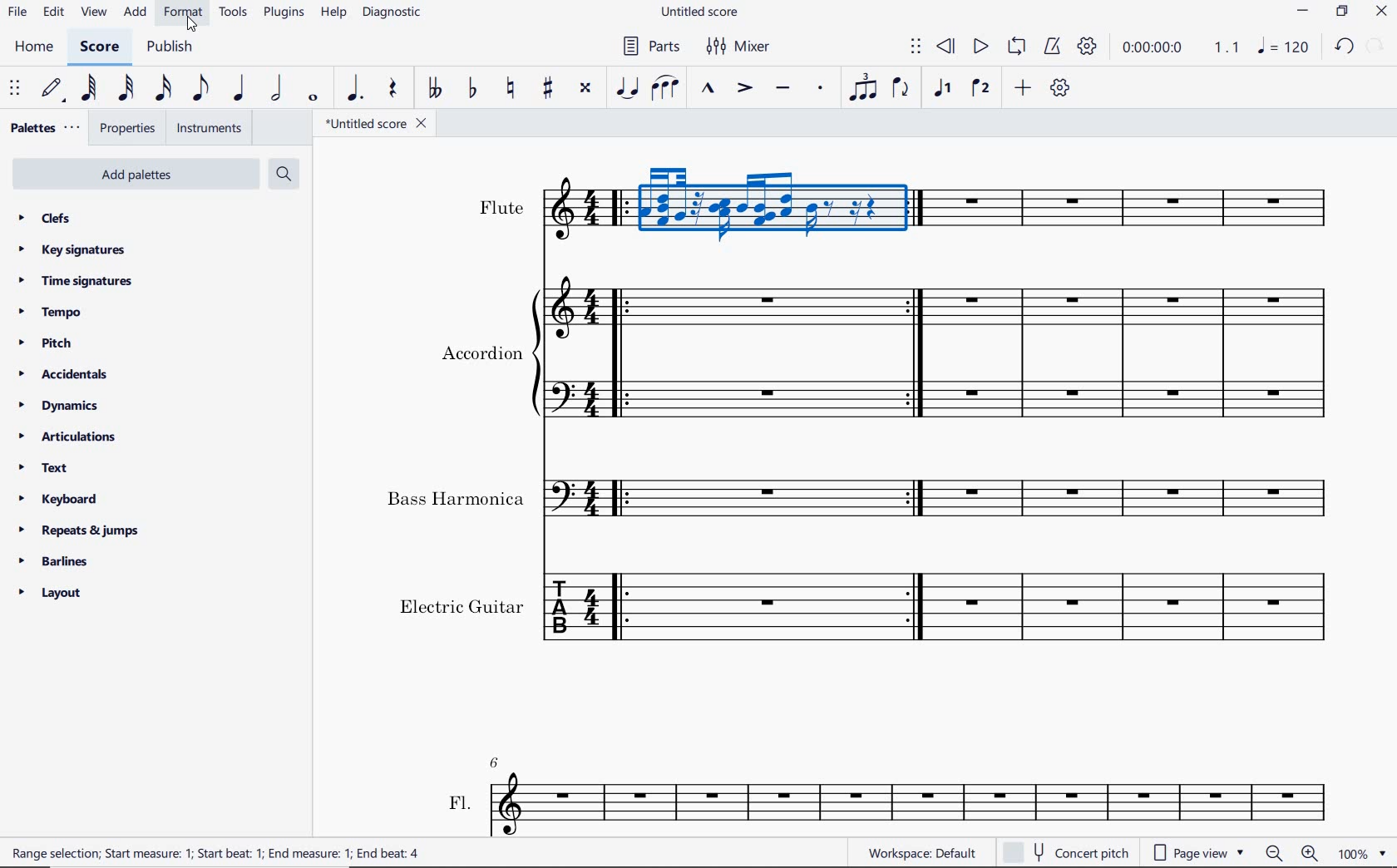  What do you see at coordinates (708, 89) in the screenshot?
I see `marcato` at bounding box center [708, 89].